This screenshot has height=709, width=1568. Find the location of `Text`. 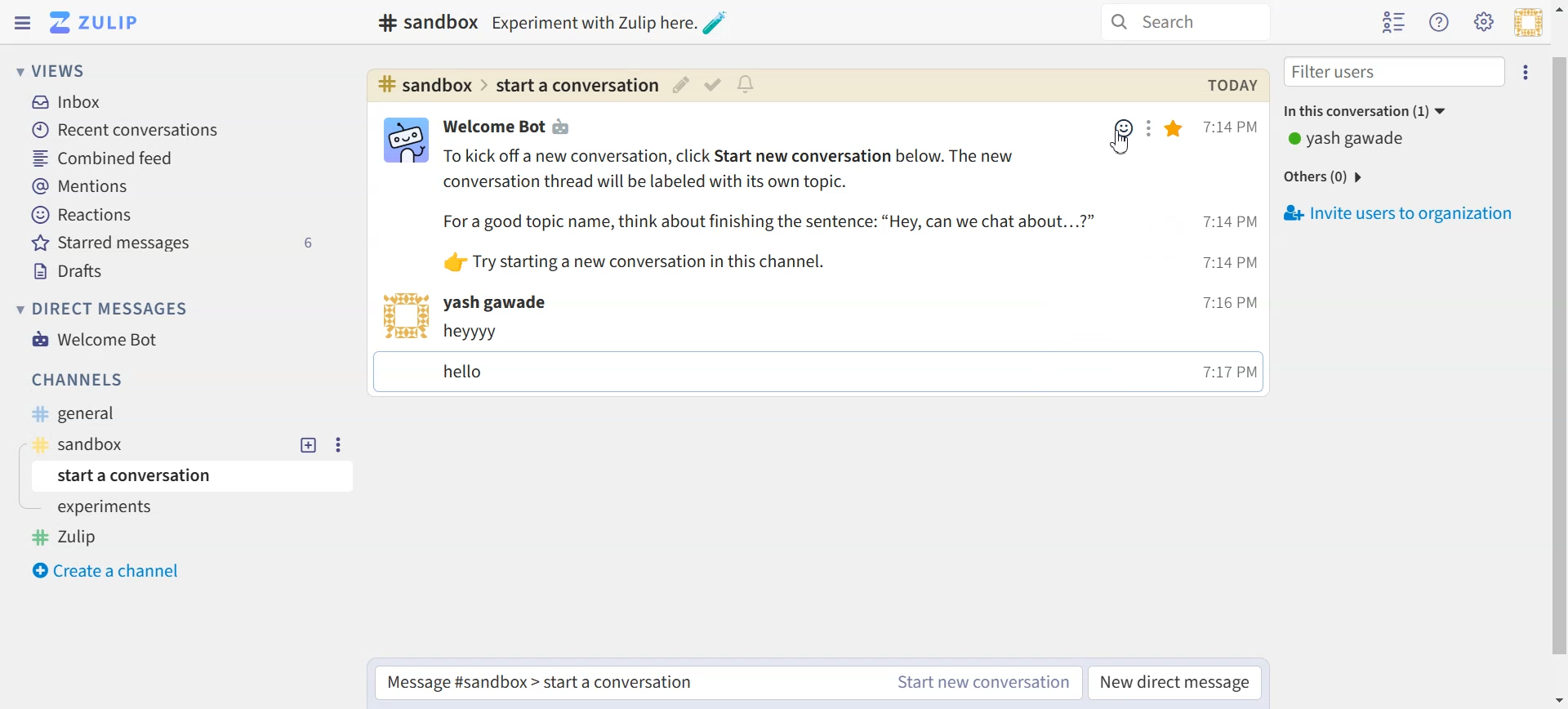

Text is located at coordinates (1348, 140).